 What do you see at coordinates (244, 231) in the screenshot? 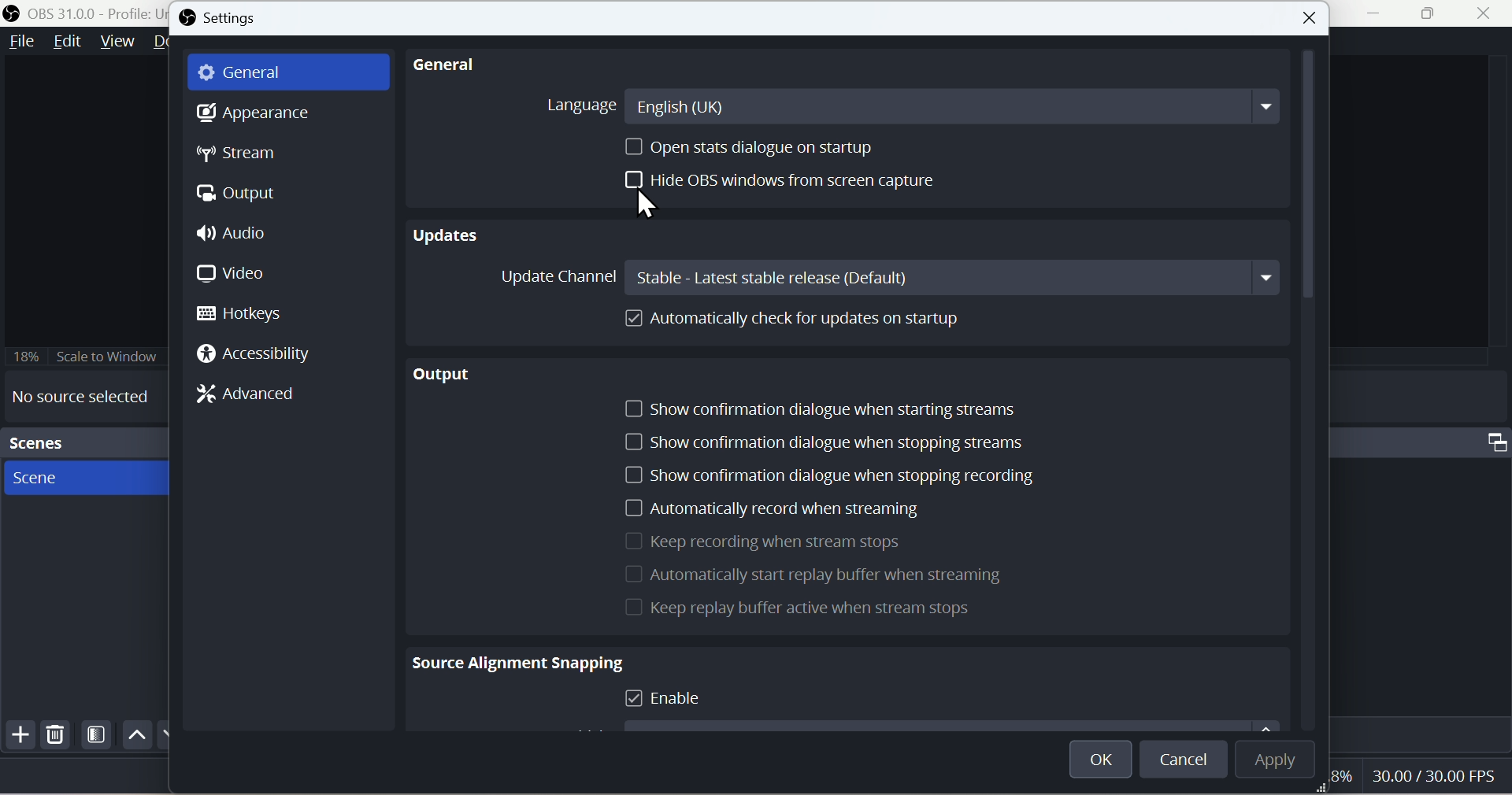
I see `Audio` at bounding box center [244, 231].